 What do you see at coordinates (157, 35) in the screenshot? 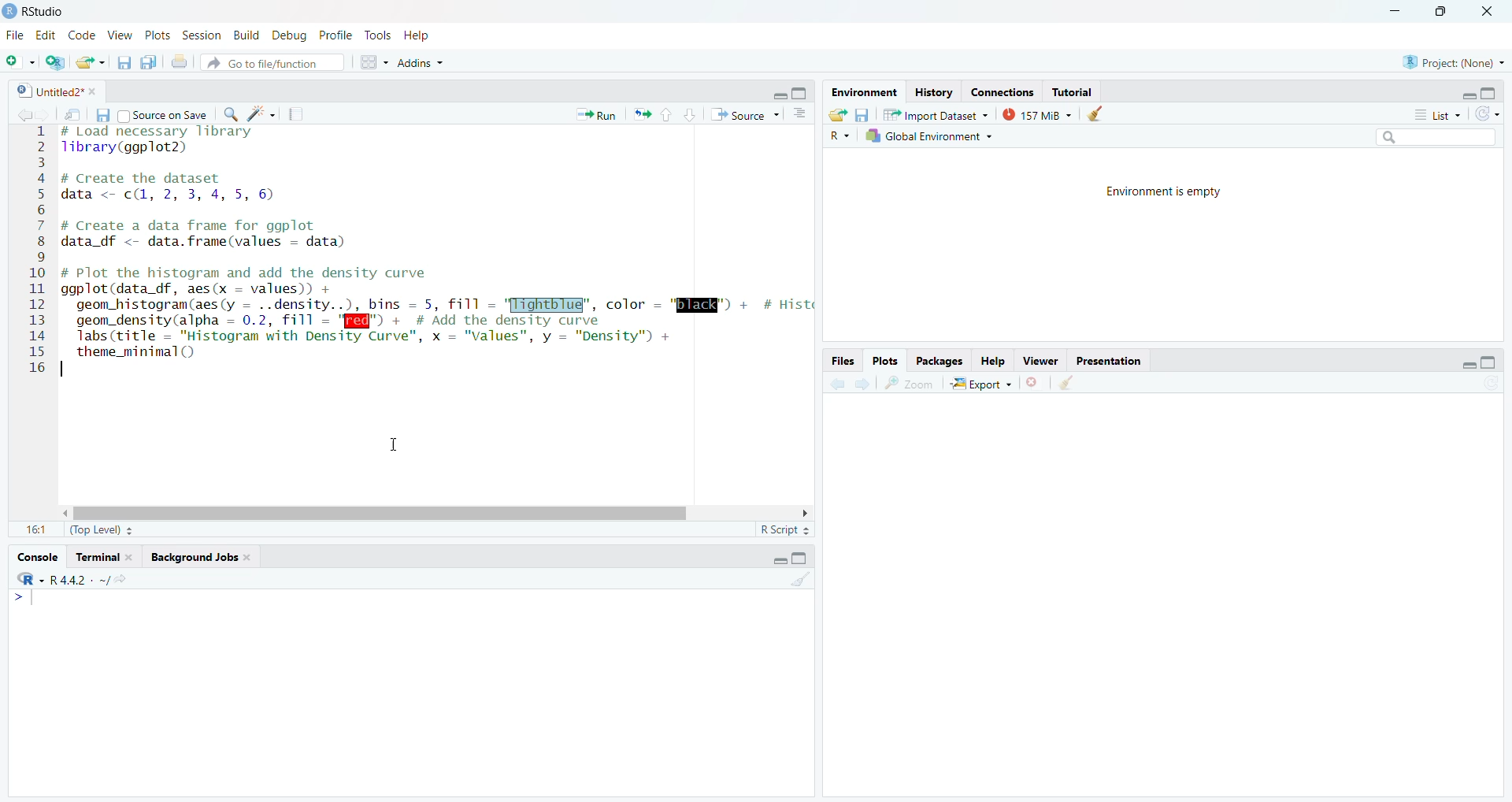
I see `Plots` at bounding box center [157, 35].